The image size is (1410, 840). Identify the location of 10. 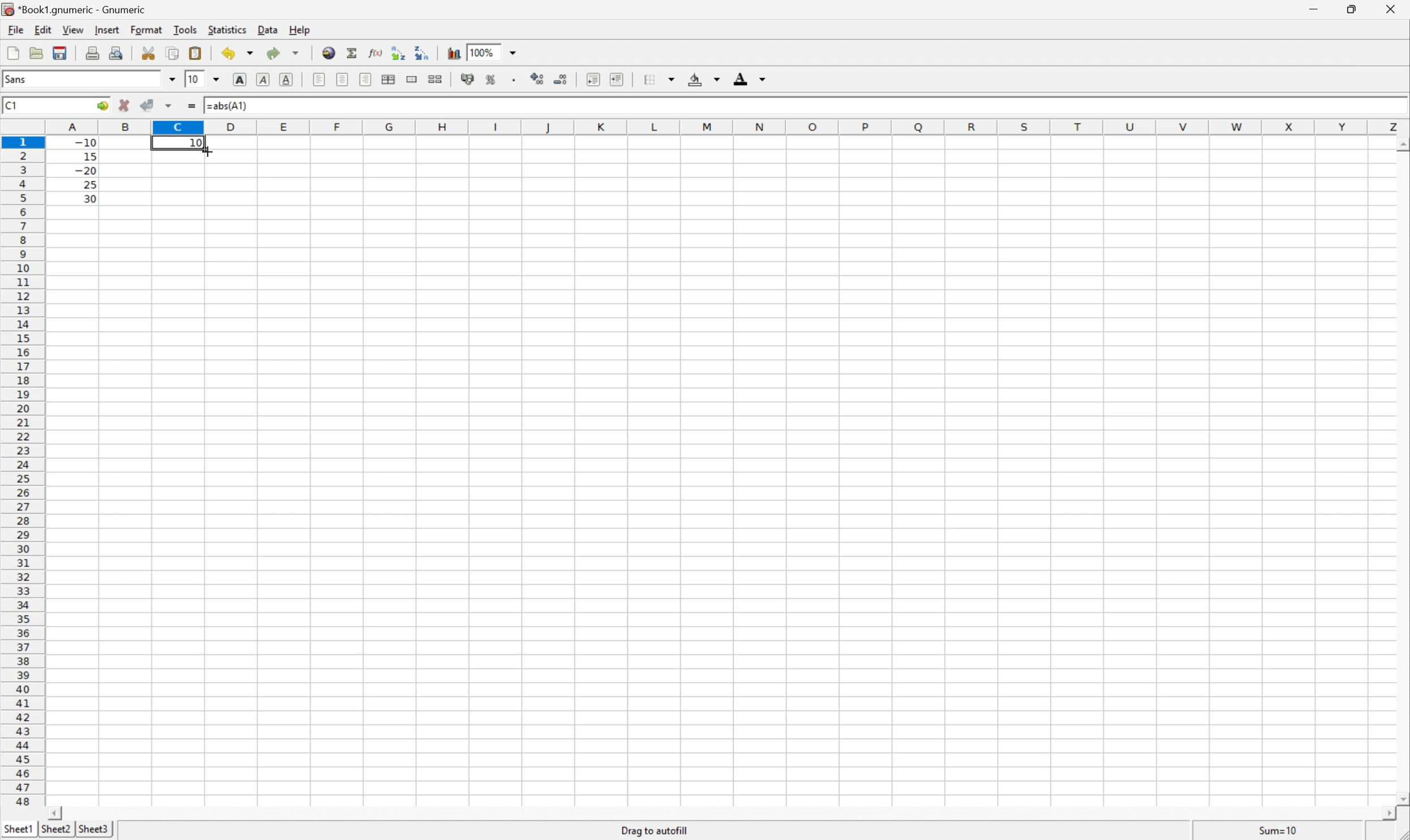
(196, 142).